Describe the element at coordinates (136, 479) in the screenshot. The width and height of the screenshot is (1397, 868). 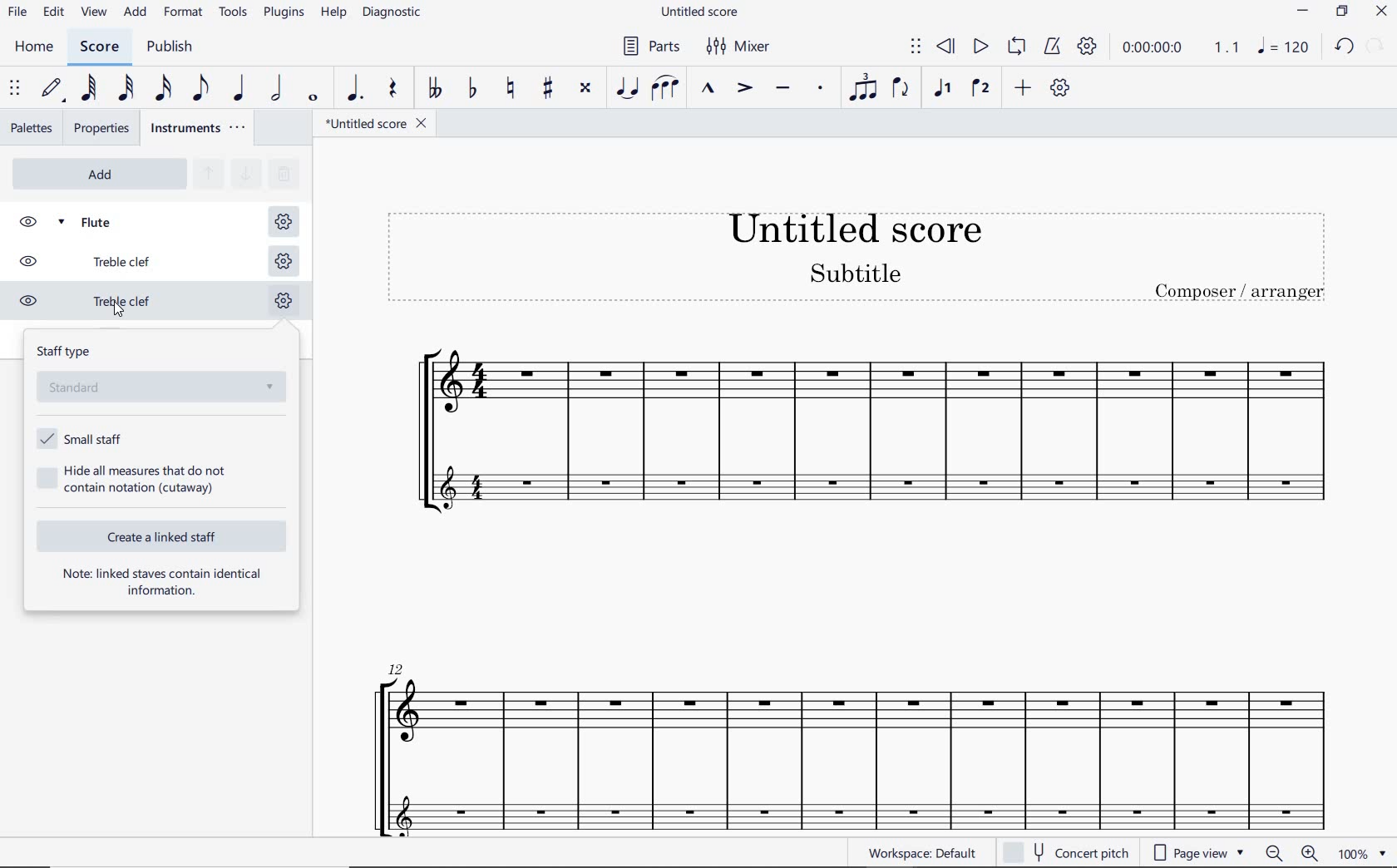
I see `HIDE ALL MEASURES THAT DO NOT CONTAIN NOTATION (CUTAWAY)` at that location.